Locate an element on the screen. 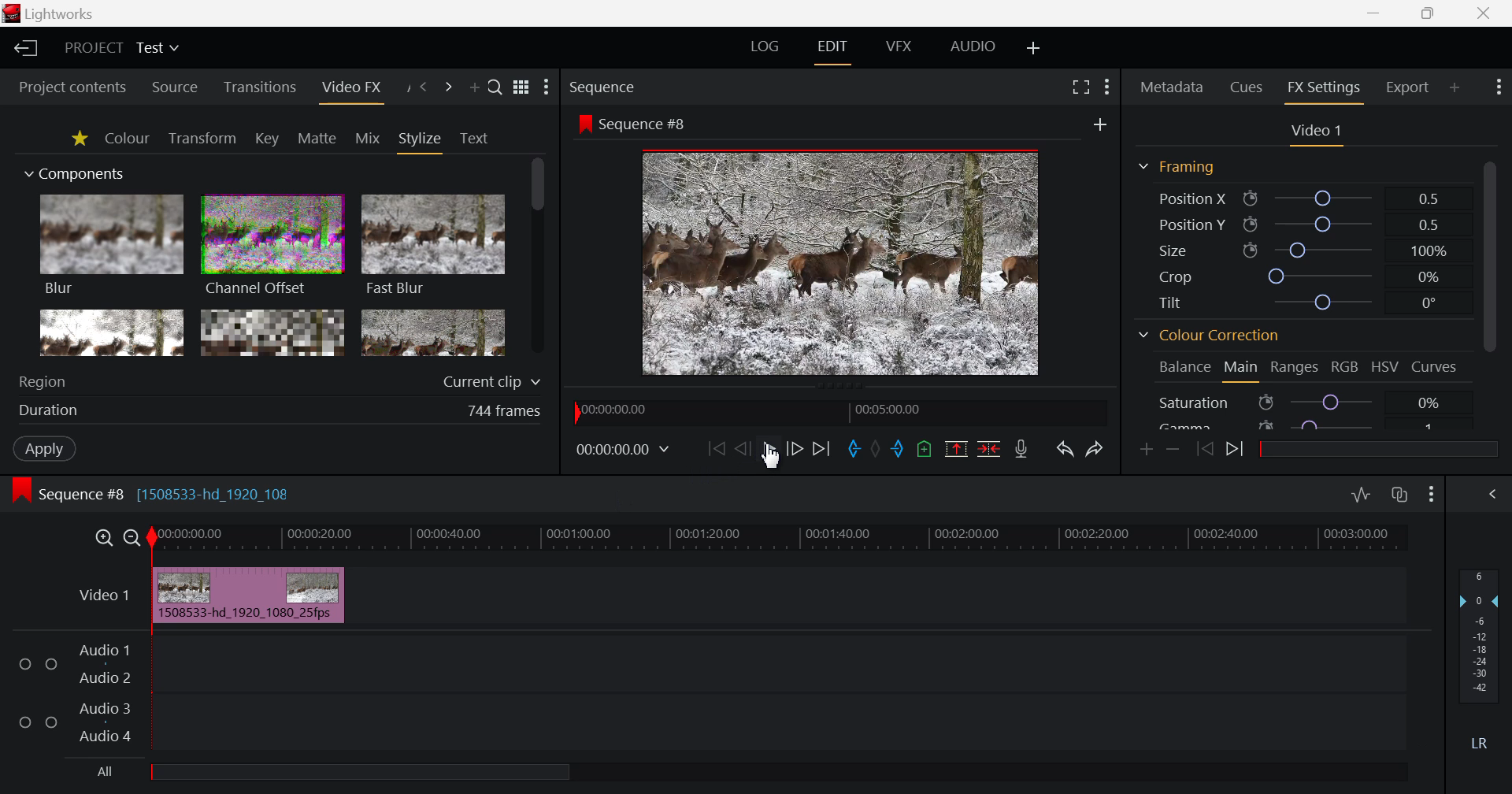 This screenshot has width=1512, height=794. Balance is located at coordinates (1183, 369).